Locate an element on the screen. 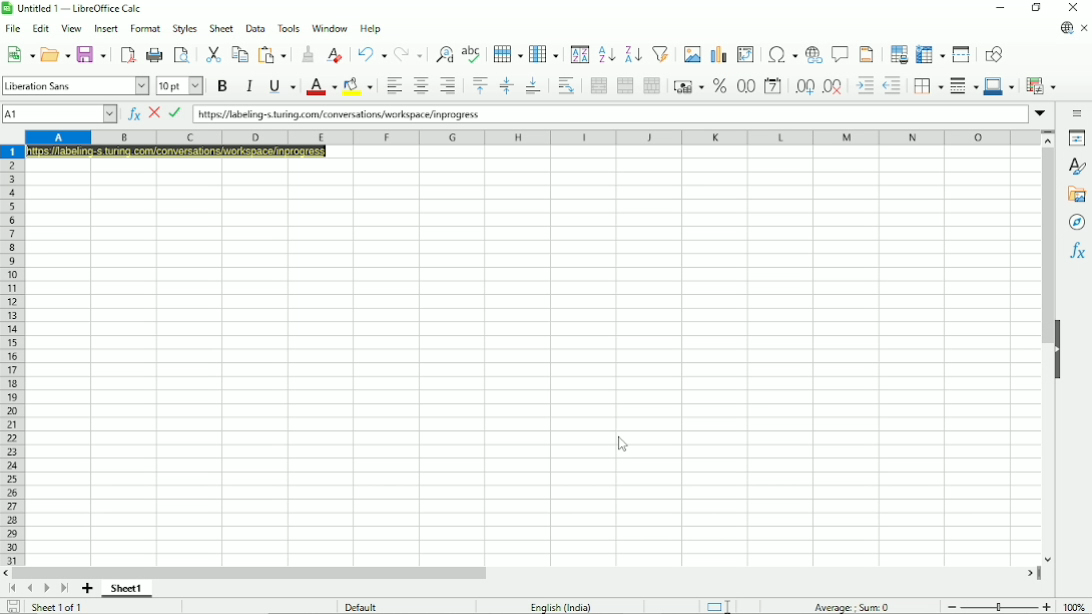  File is located at coordinates (13, 29).